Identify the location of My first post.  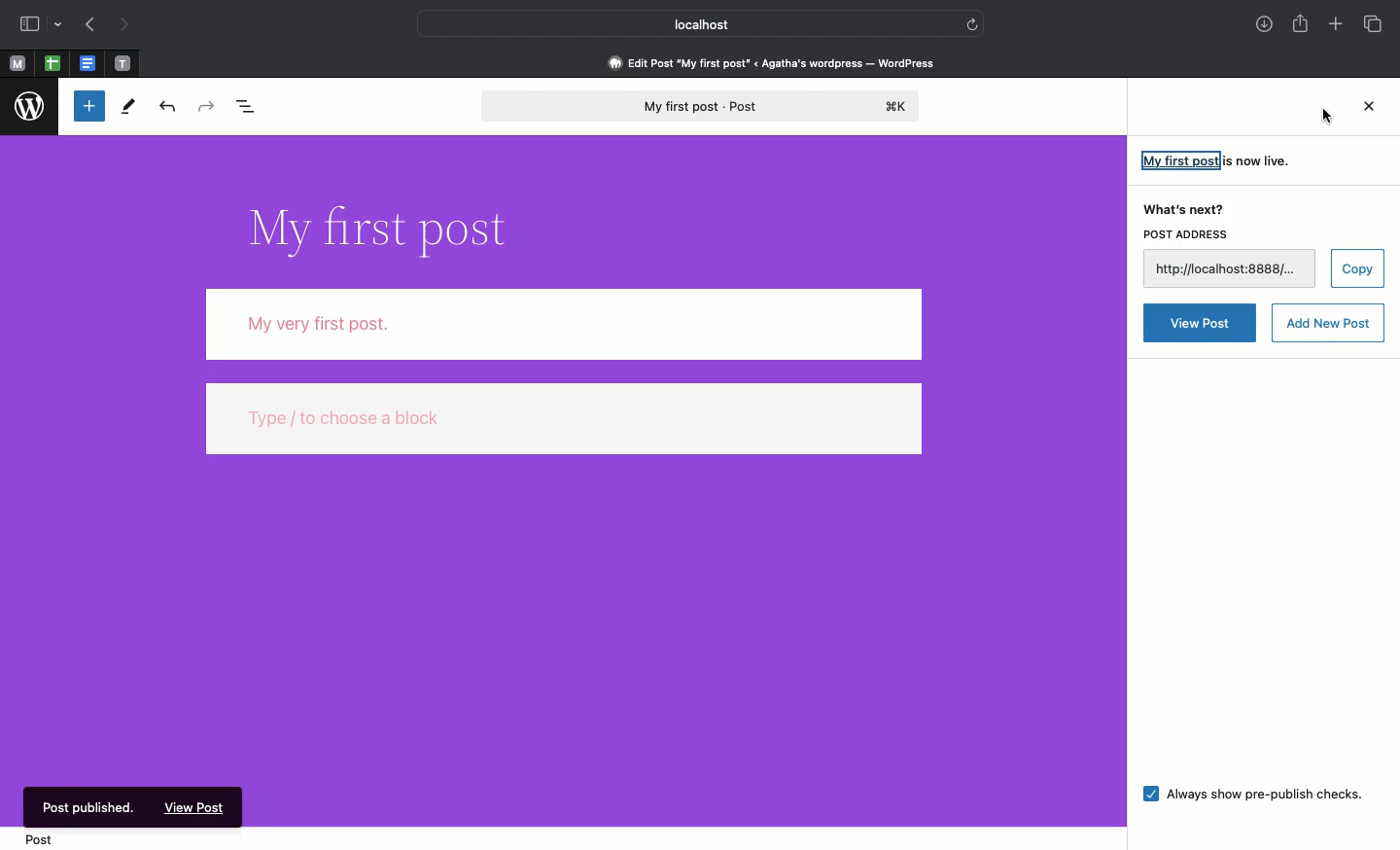
(704, 107).